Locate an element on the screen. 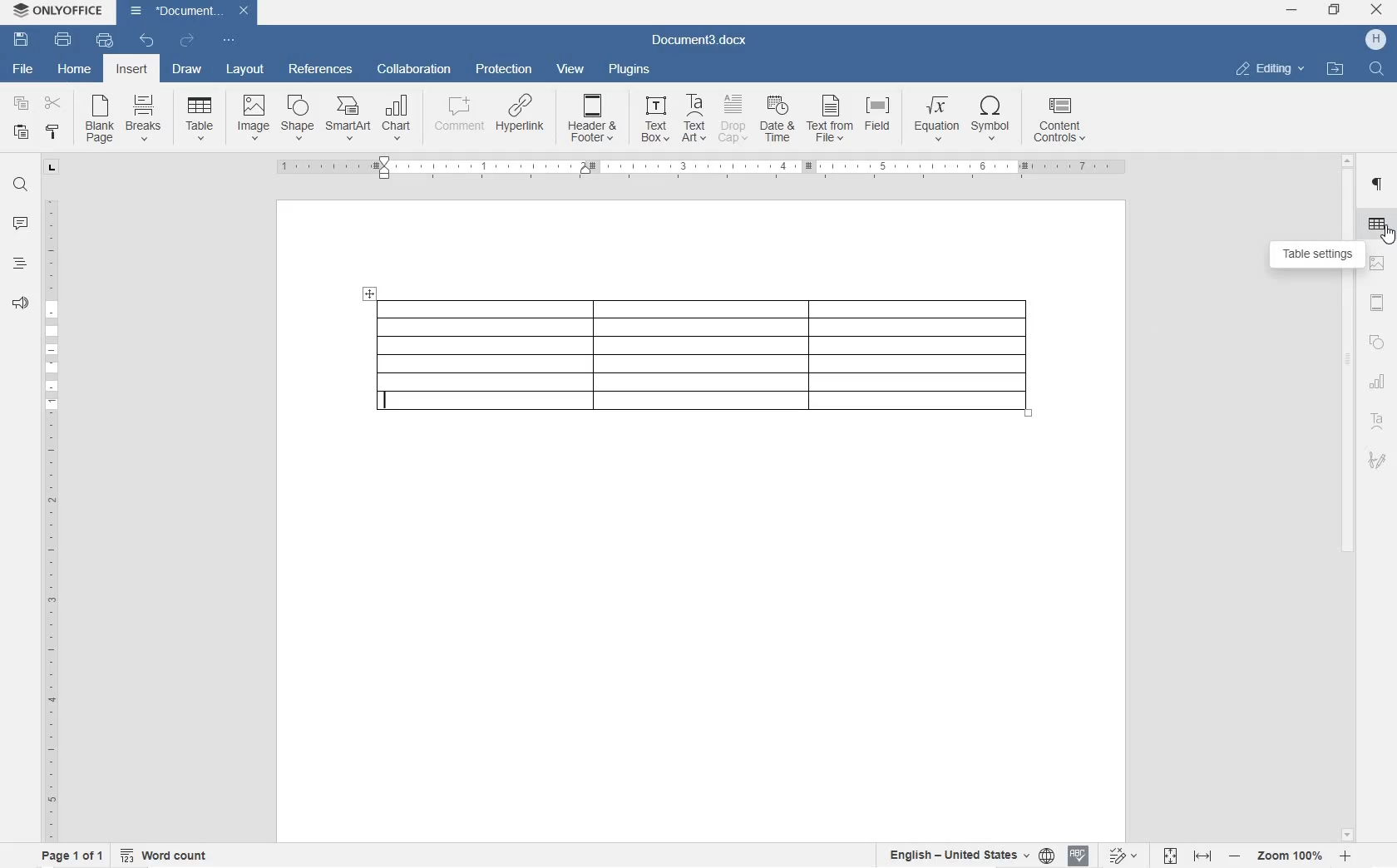 Image resolution: width=1397 pixels, height=868 pixels. SIGNATURE is located at coordinates (1377, 456).